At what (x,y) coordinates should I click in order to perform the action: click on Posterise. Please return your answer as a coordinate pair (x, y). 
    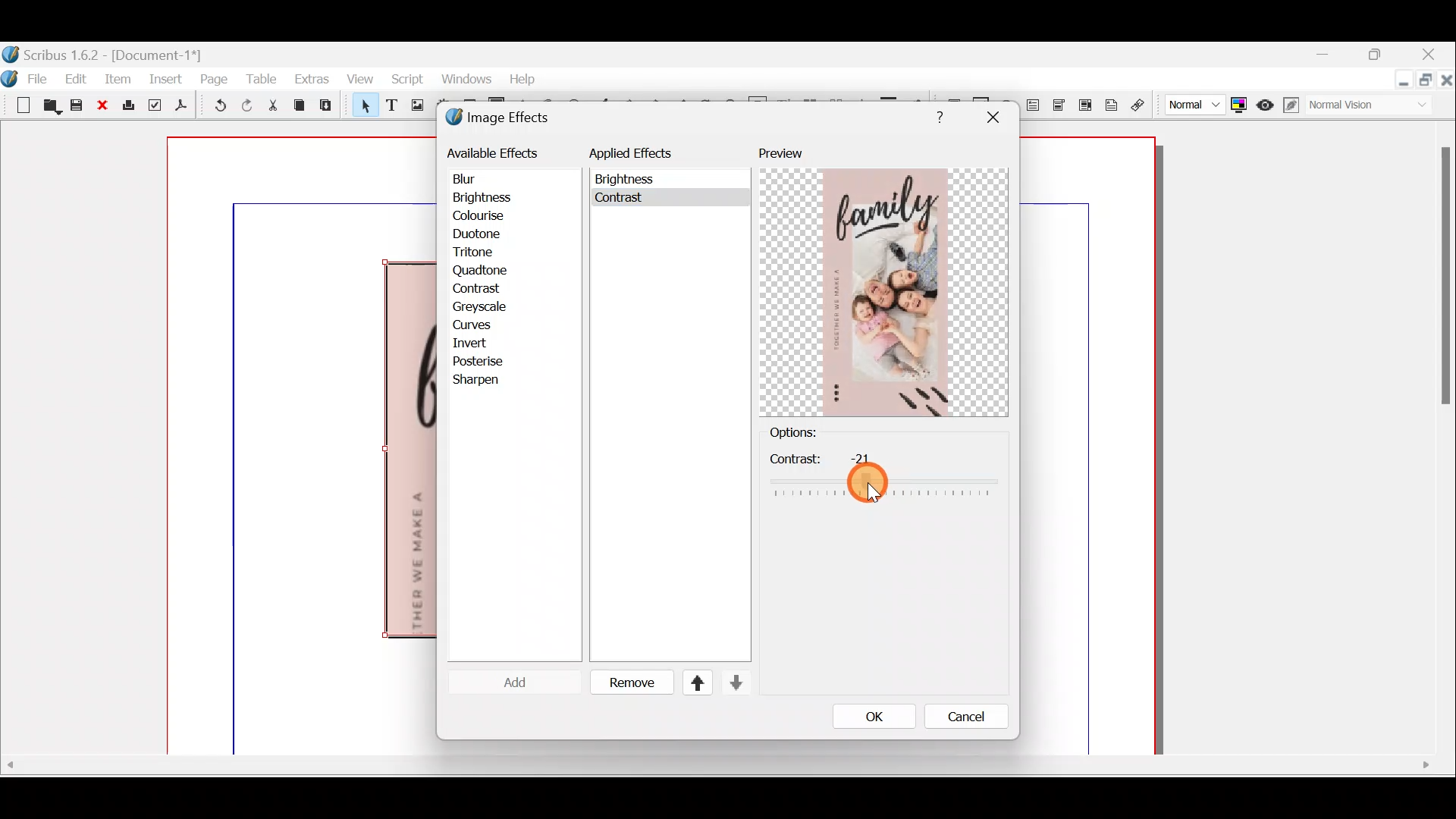
    Looking at the image, I should click on (488, 361).